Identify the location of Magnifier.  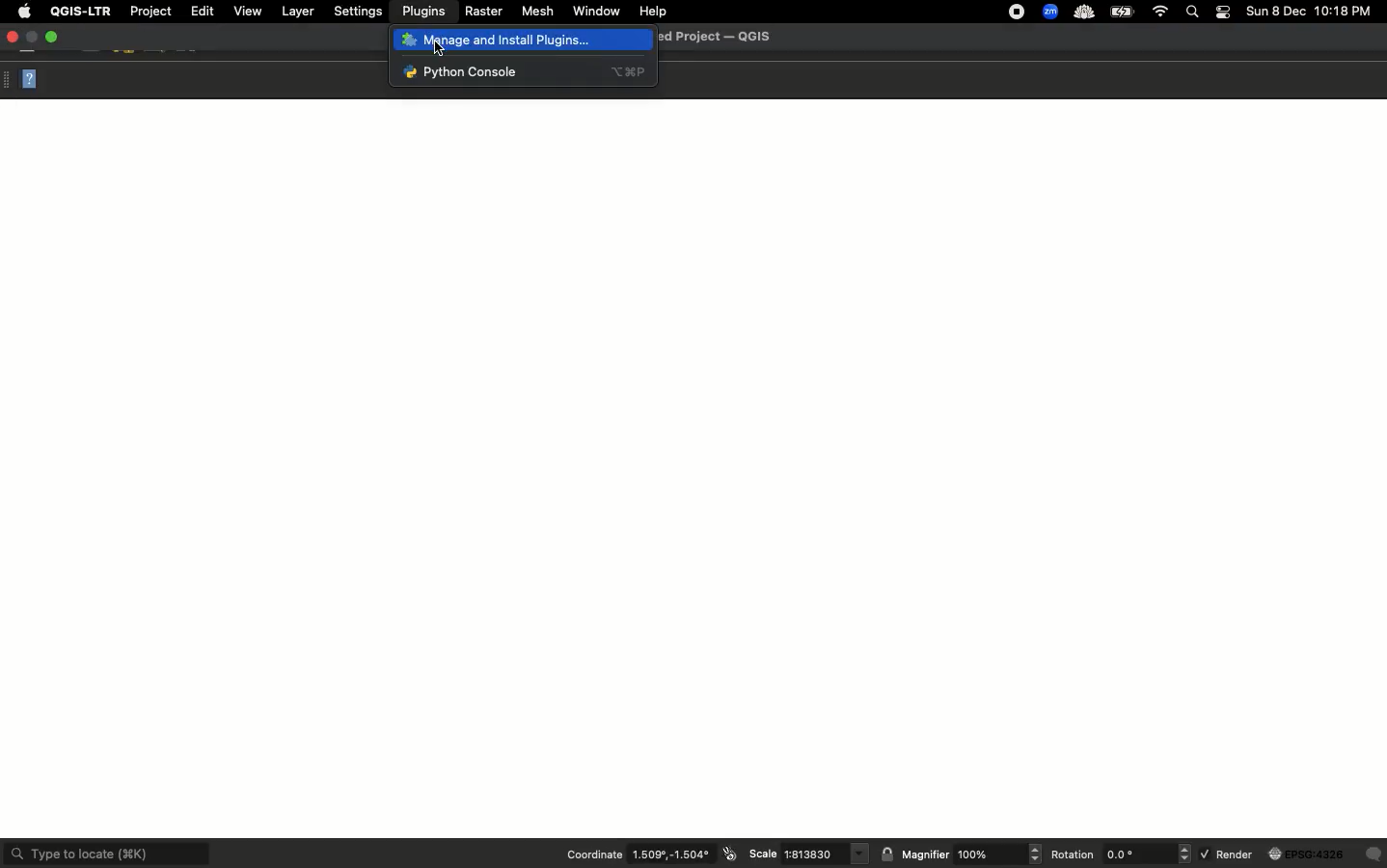
(961, 854).